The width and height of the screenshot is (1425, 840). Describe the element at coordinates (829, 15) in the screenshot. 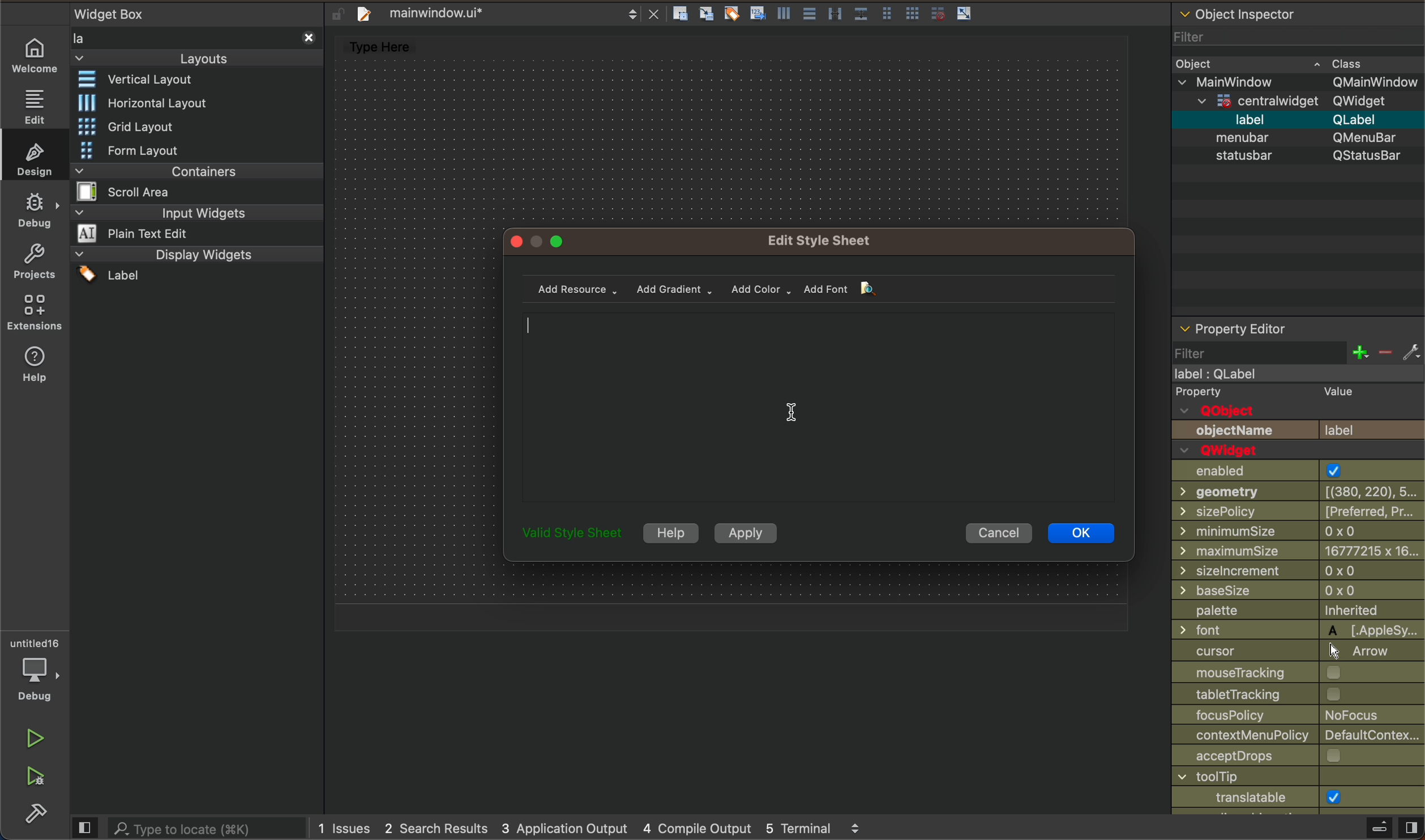

I see `files` at that location.